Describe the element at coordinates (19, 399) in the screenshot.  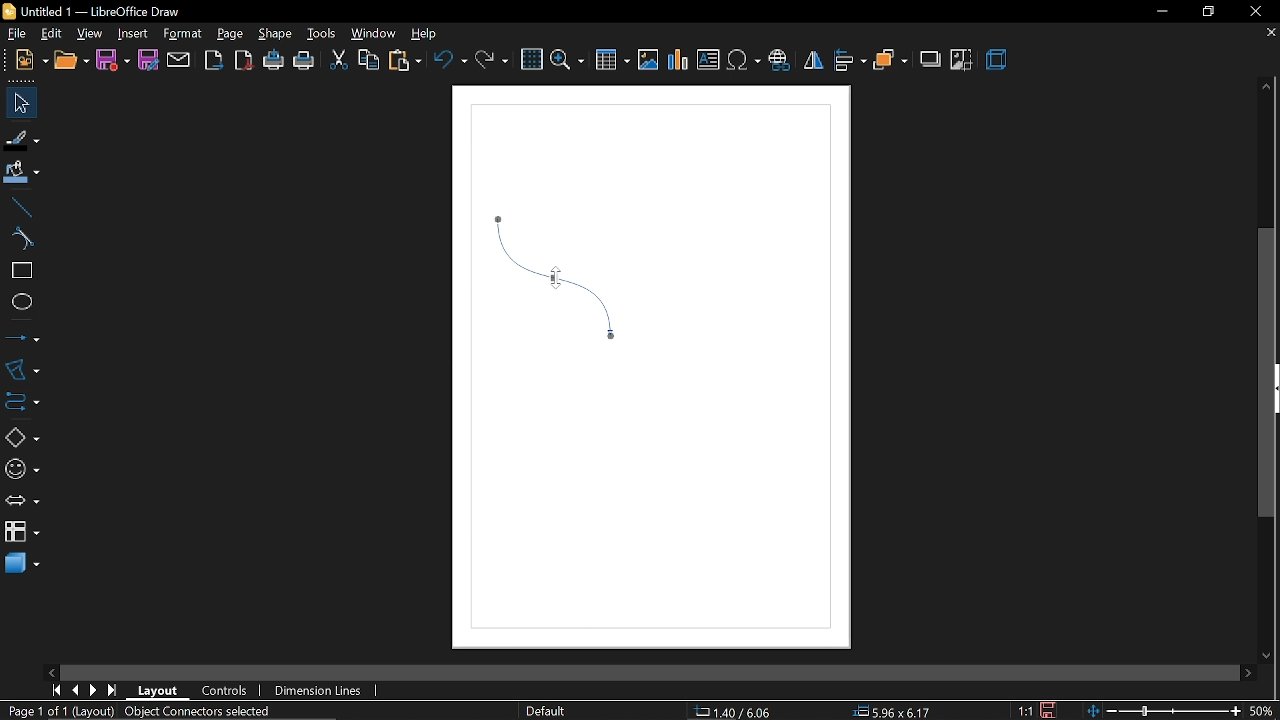
I see `connector` at that location.